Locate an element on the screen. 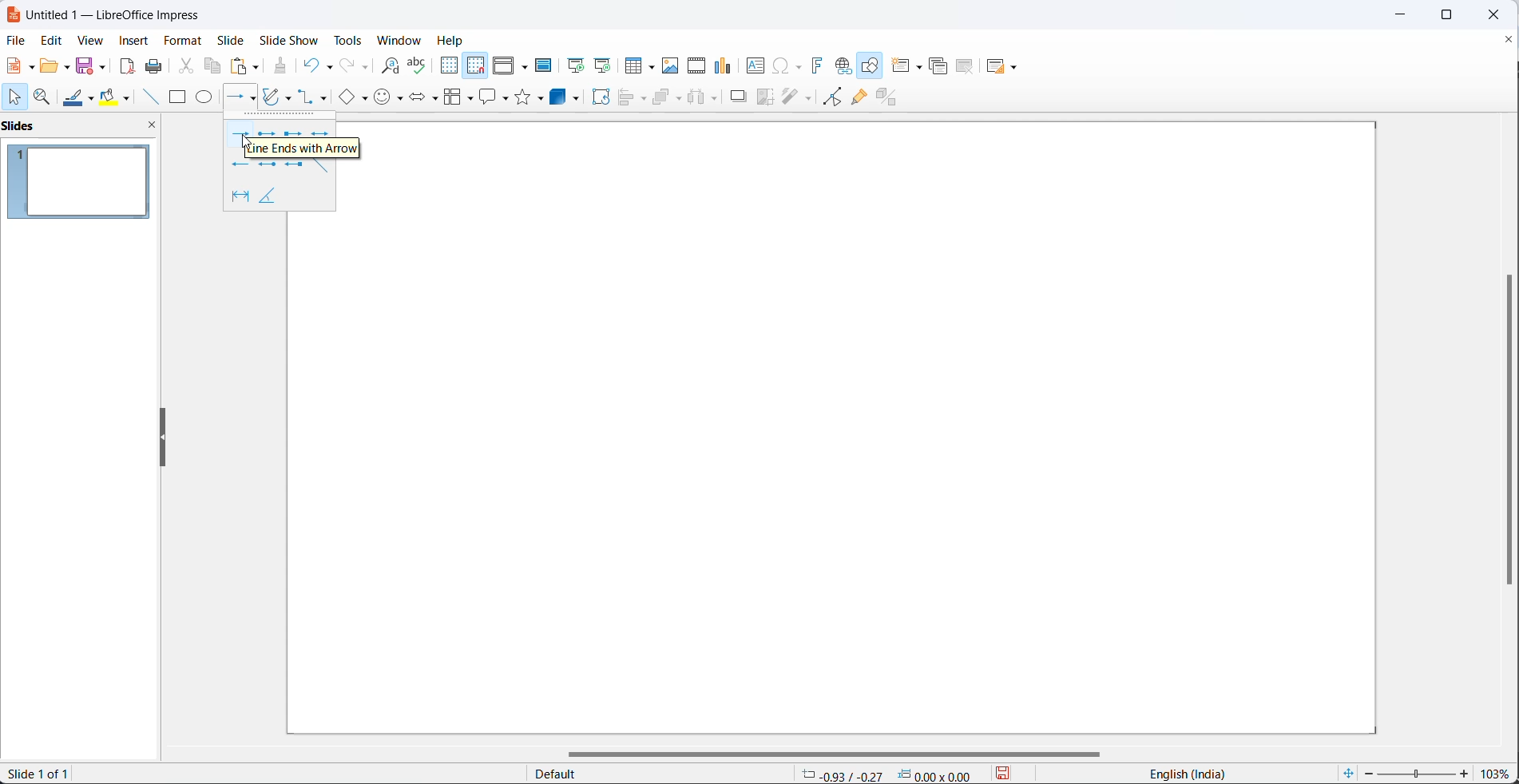  slide 1 of 1 is located at coordinates (47, 775).